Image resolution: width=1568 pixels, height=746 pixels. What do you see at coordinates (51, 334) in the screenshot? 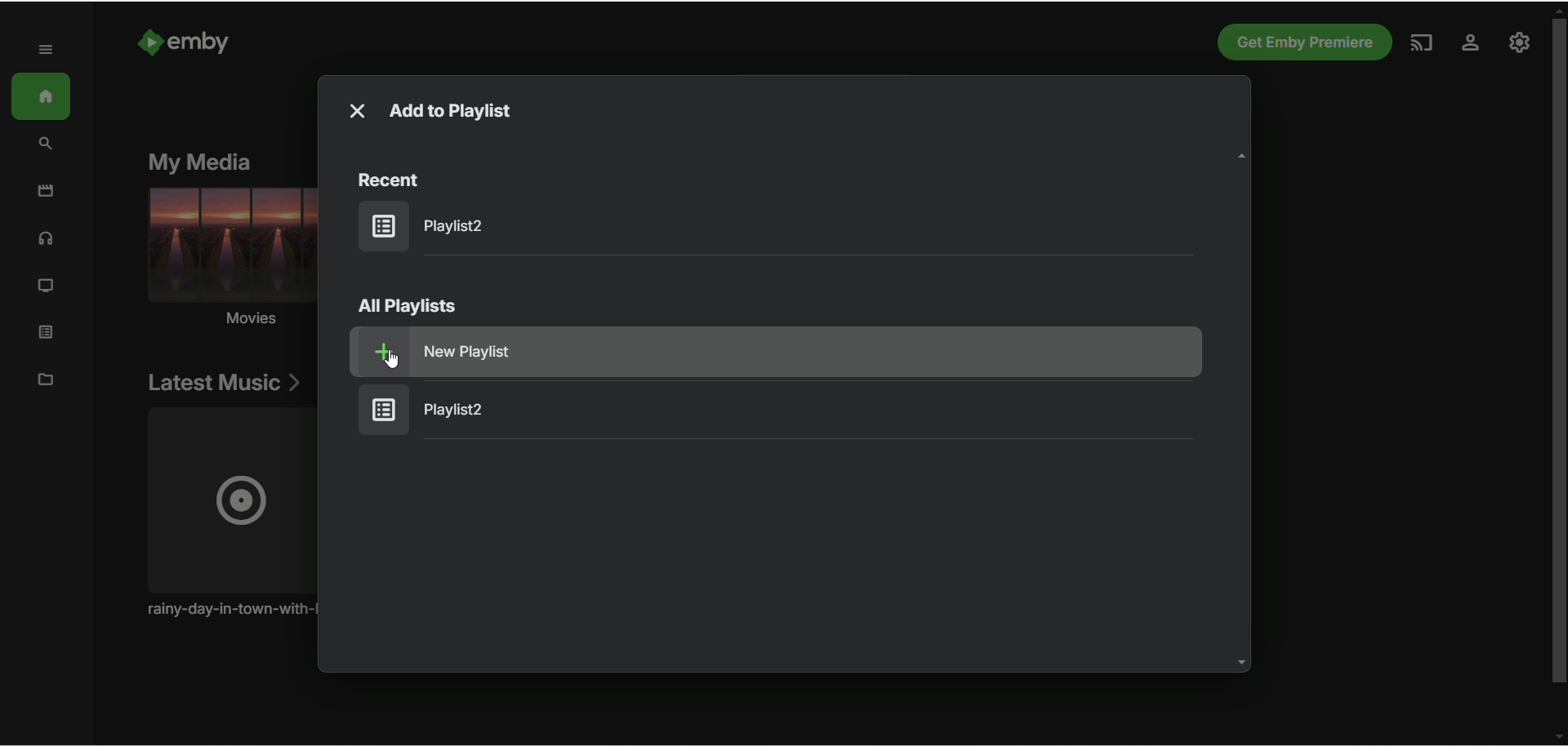
I see `playlist` at bounding box center [51, 334].